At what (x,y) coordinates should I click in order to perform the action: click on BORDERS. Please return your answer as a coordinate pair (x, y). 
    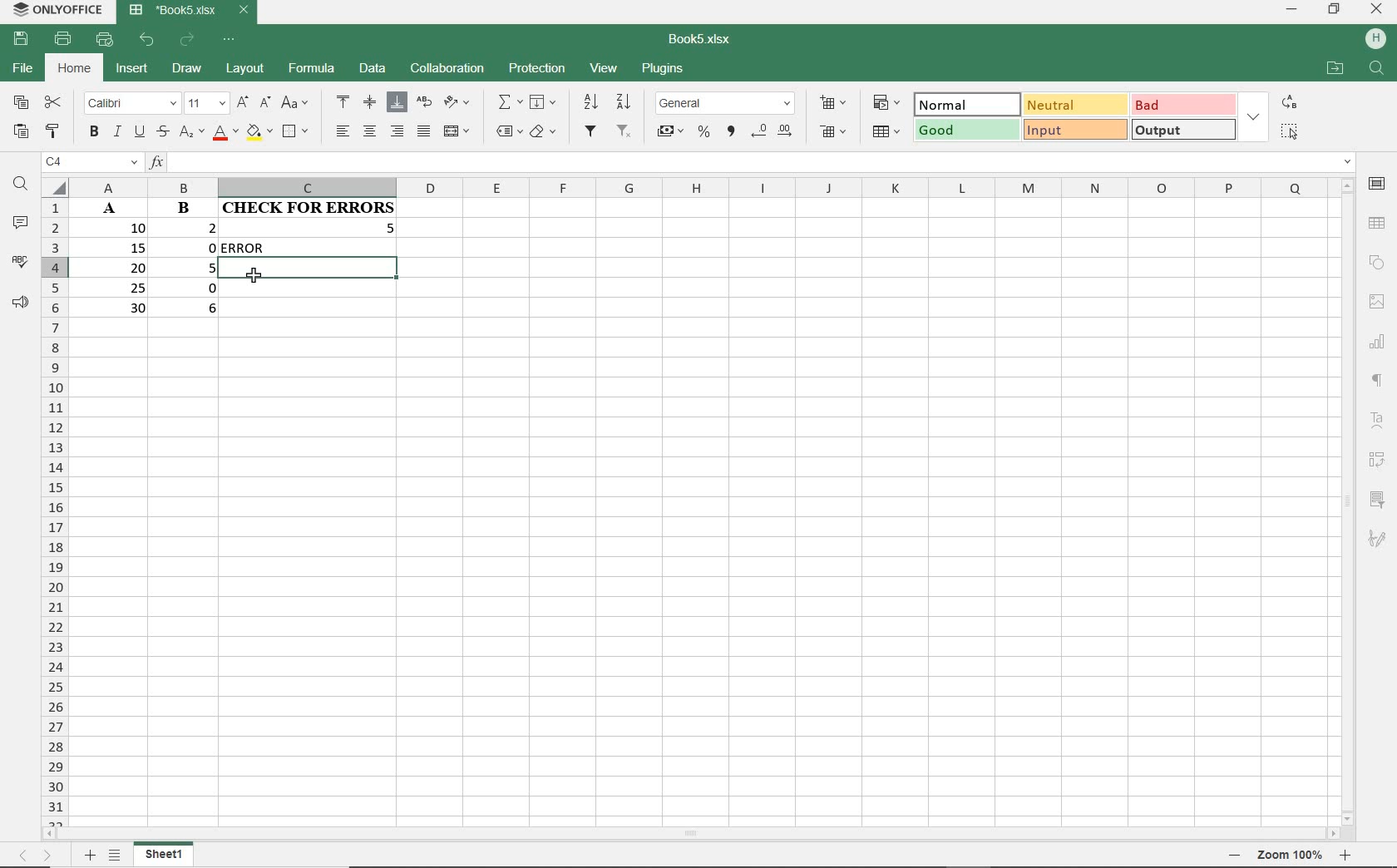
    Looking at the image, I should click on (299, 131).